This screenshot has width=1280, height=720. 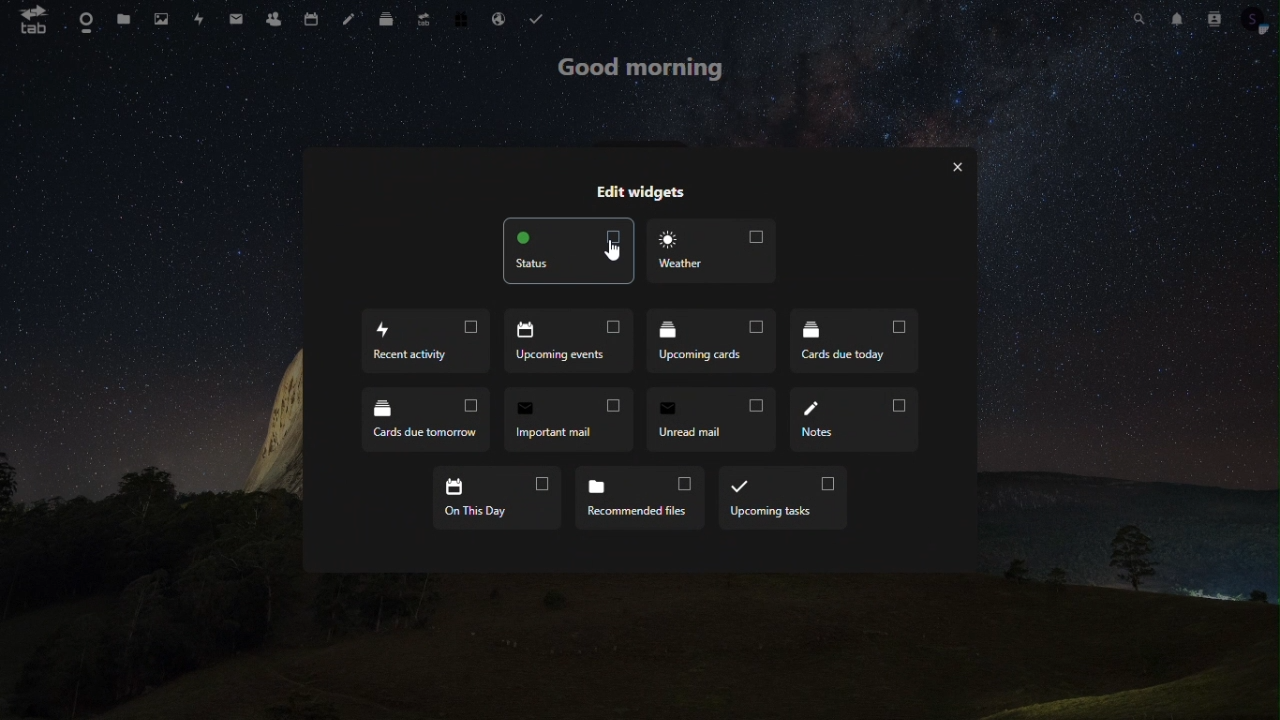 I want to click on good morning, so click(x=638, y=64).